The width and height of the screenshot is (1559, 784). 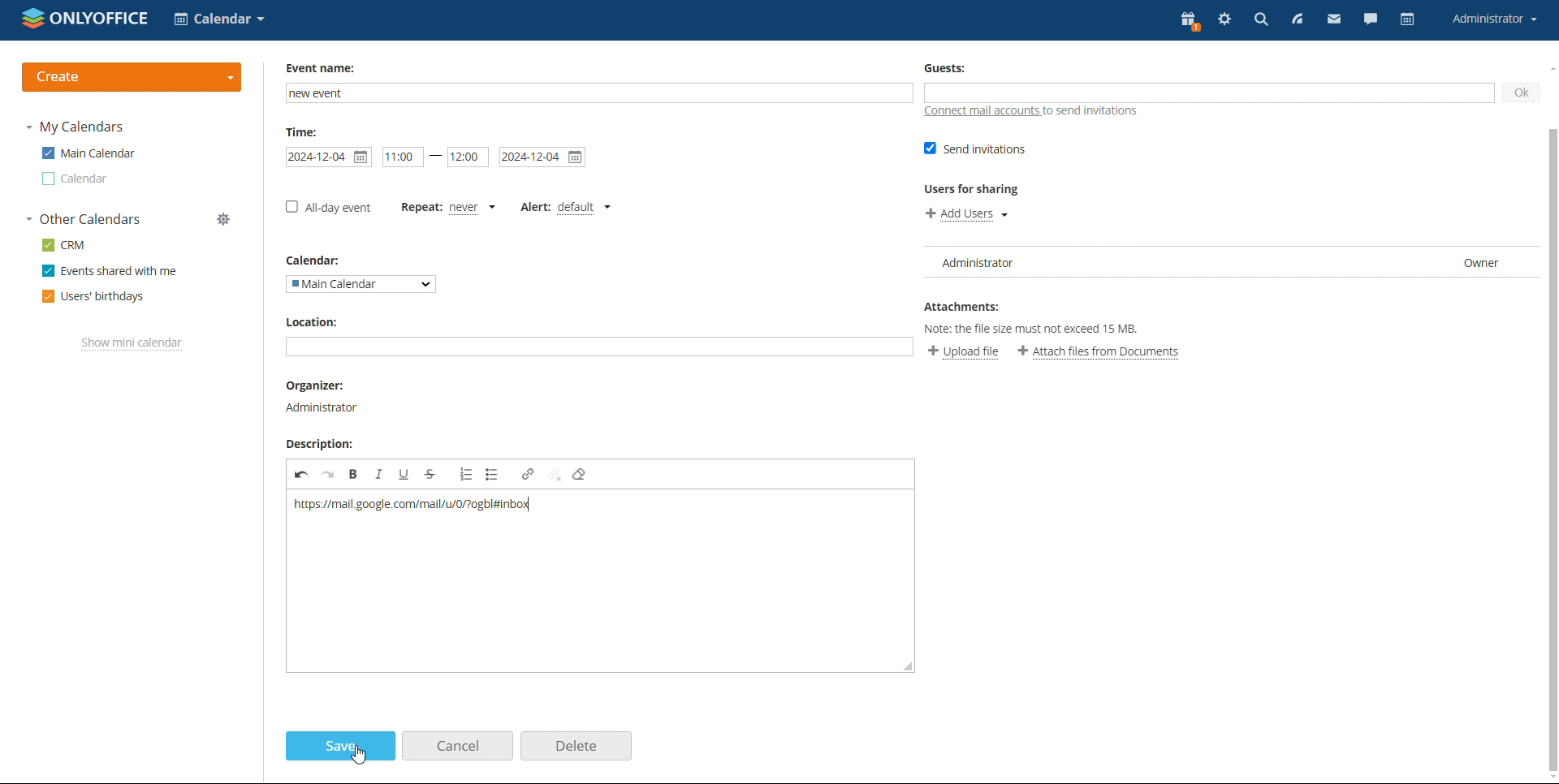 What do you see at coordinates (64, 244) in the screenshot?
I see `crm` at bounding box center [64, 244].